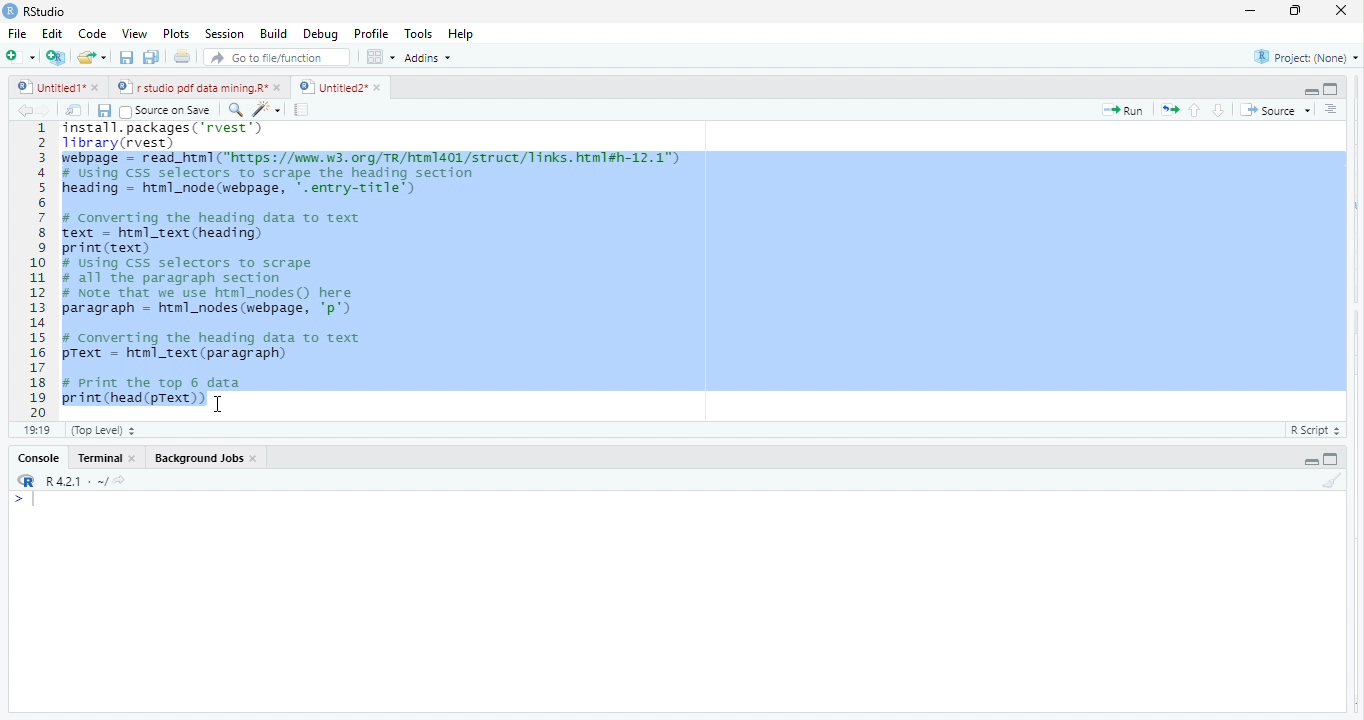  I want to click on  Untitied1", so click(47, 87).